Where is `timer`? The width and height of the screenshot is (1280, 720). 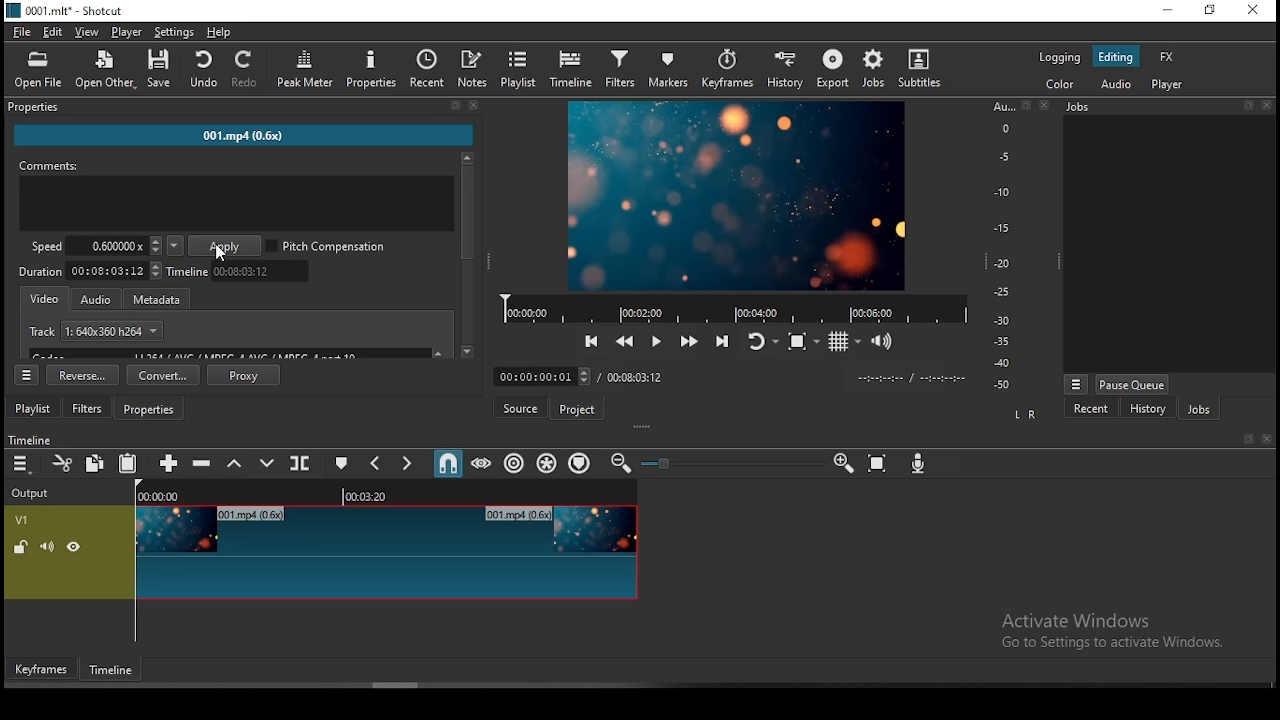
timer is located at coordinates (910, 378).